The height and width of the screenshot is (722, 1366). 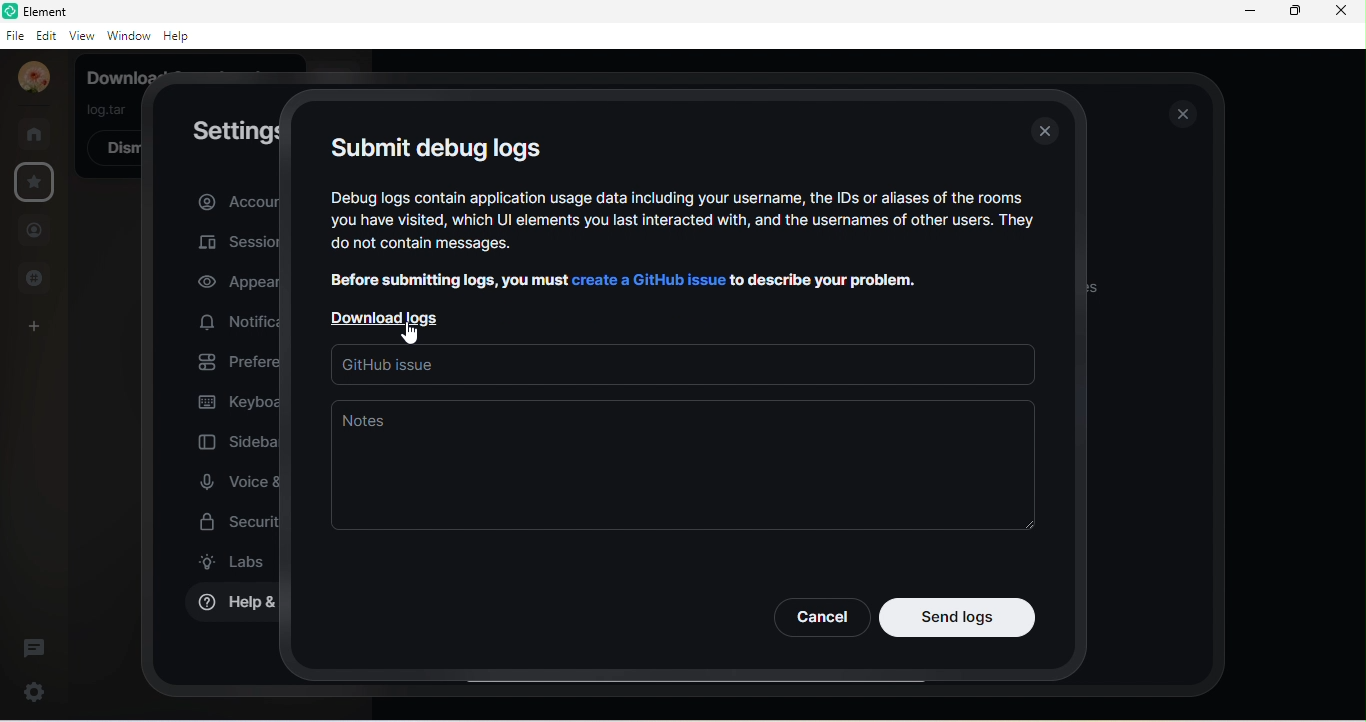 I want to click on before submitting logs, you must create a GitHub issue to describe your problem., so click(x=622, y=278).